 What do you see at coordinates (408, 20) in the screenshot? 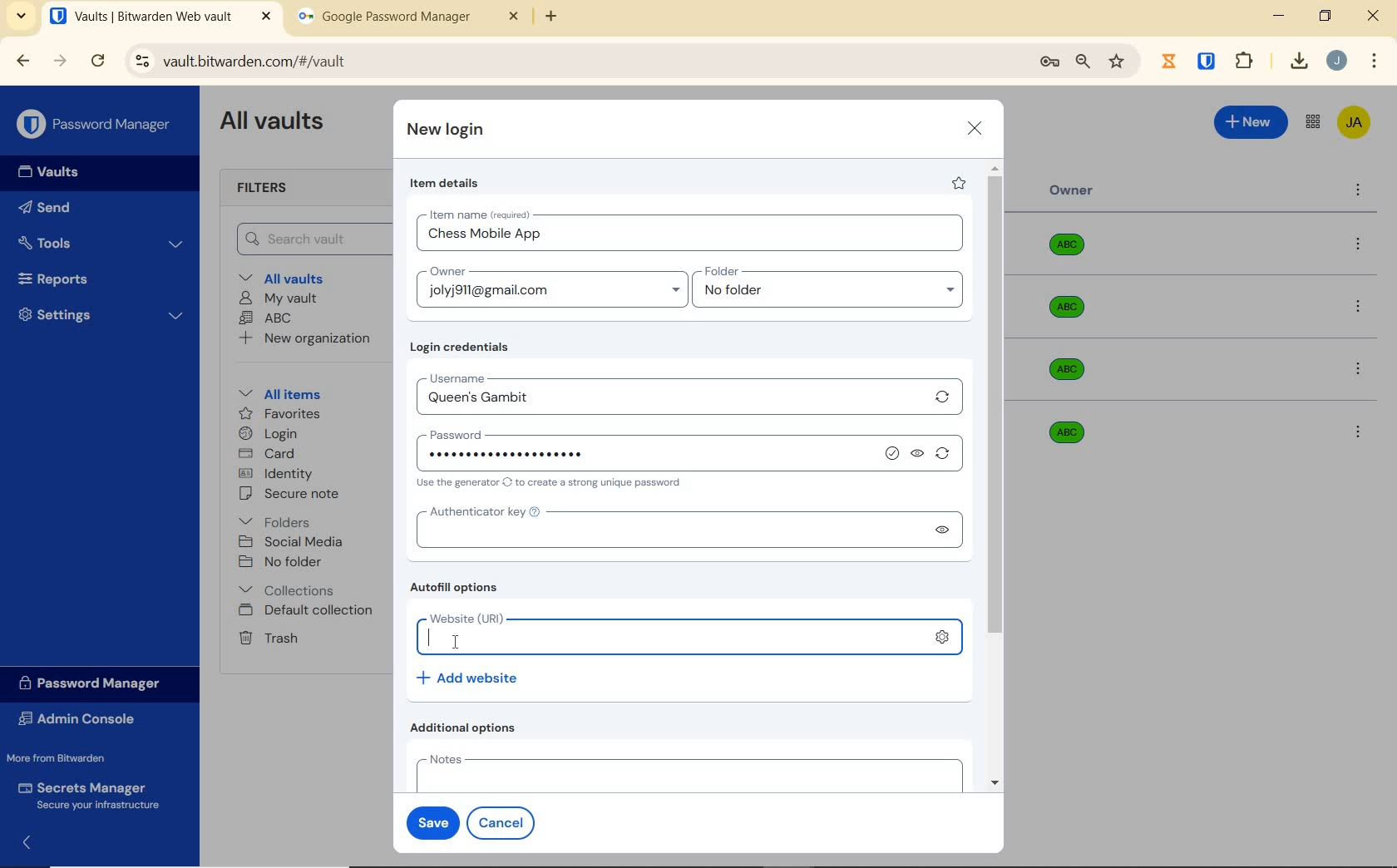
I see `tab` at bounding box center [408, 20].